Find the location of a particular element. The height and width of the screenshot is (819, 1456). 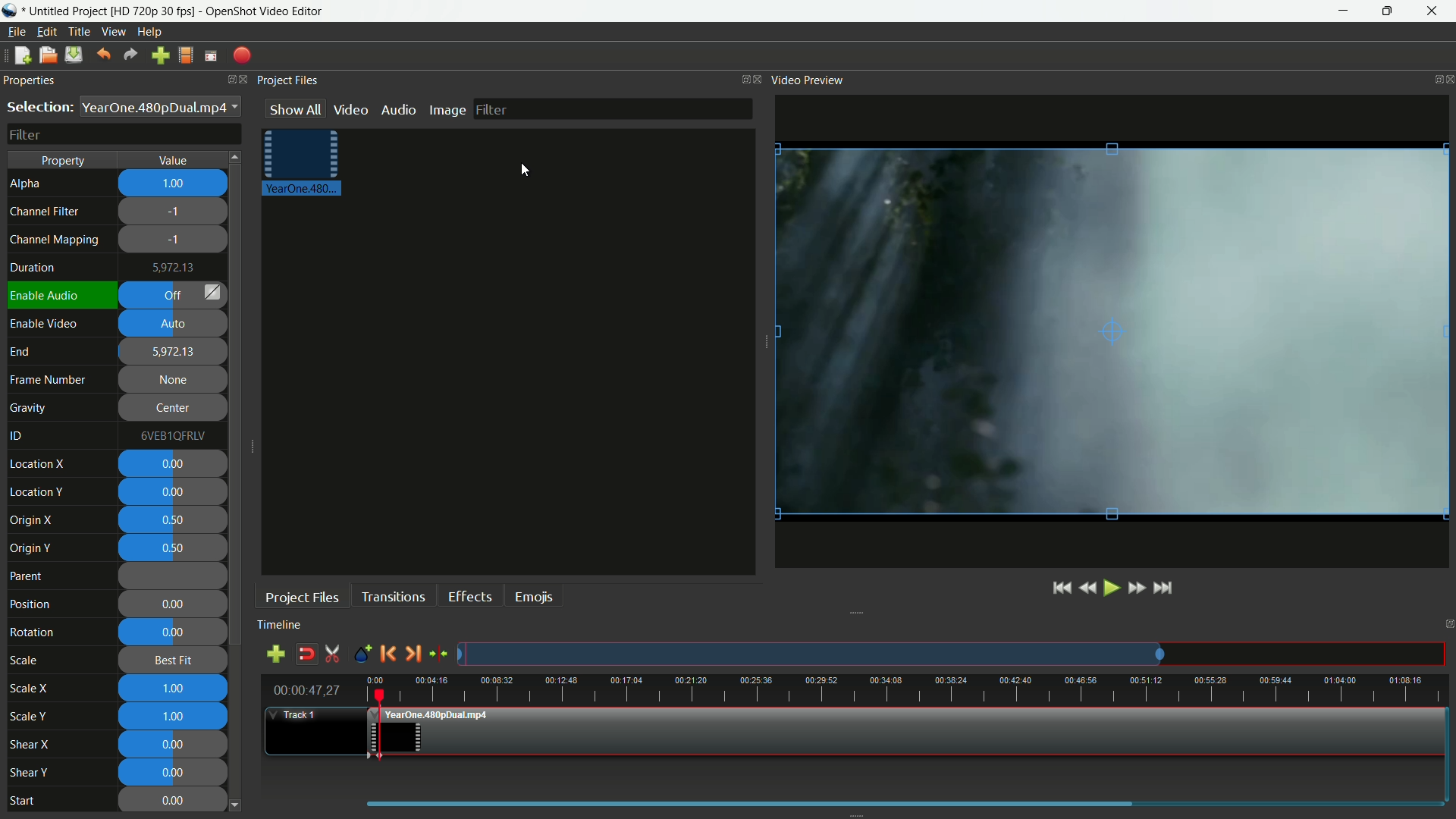

open file is located at coordinates (46, 55).